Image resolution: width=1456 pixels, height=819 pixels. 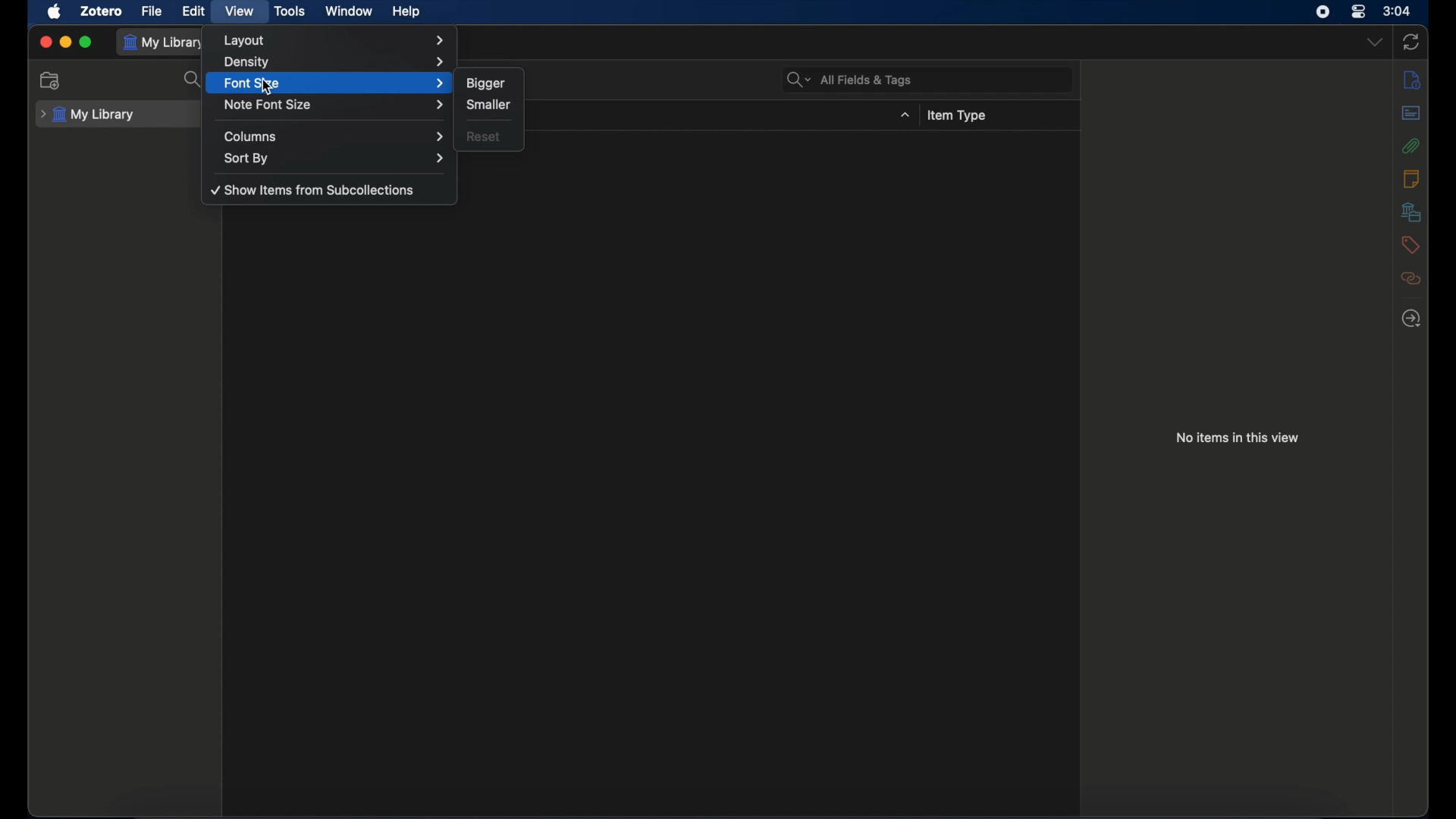 What do you see at coordinates (290, 11) in the screenshot?
I see `tools` at bounding box center [290, 11].